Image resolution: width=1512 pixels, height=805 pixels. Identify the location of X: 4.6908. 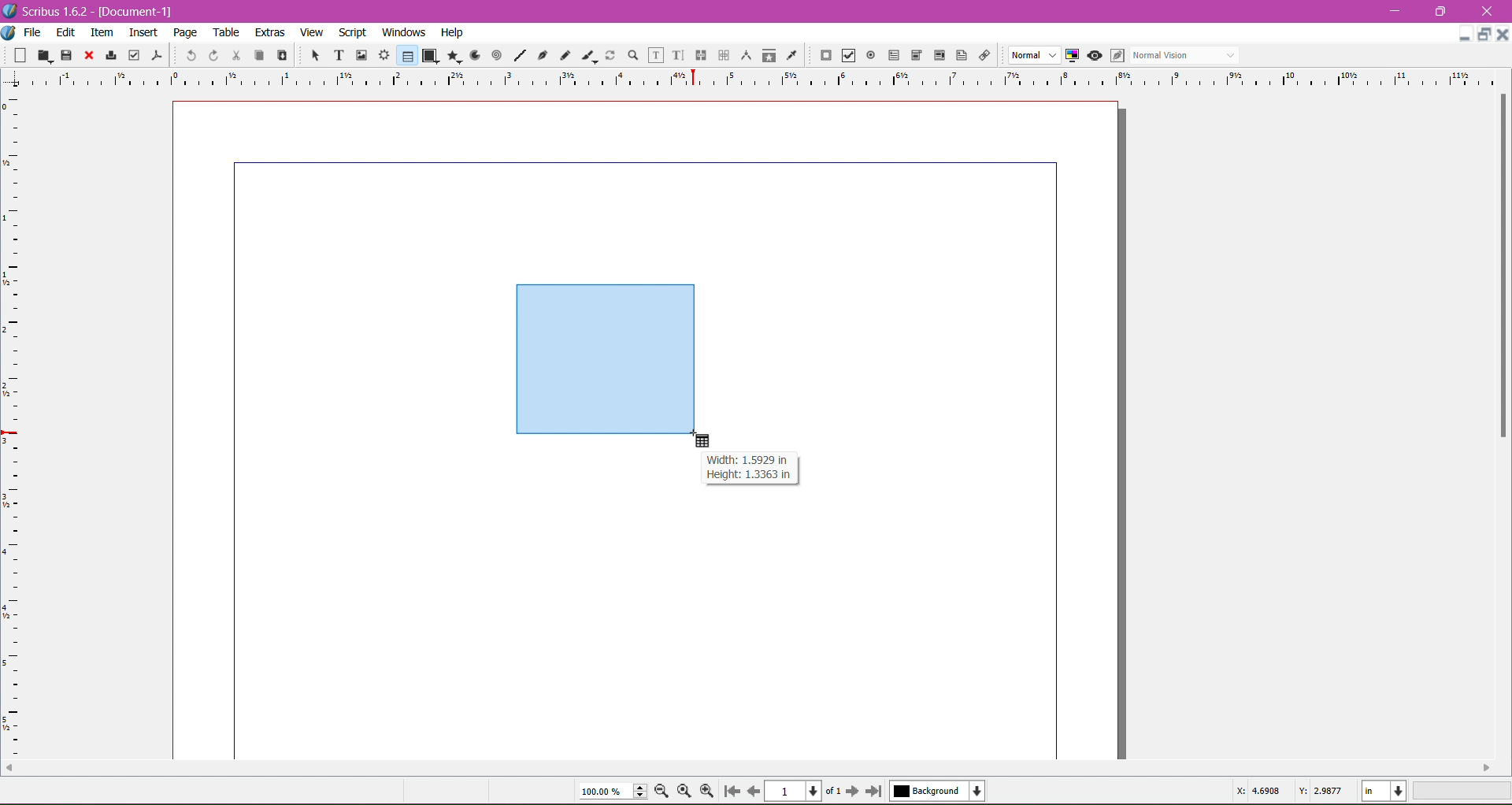
(1258, 791).